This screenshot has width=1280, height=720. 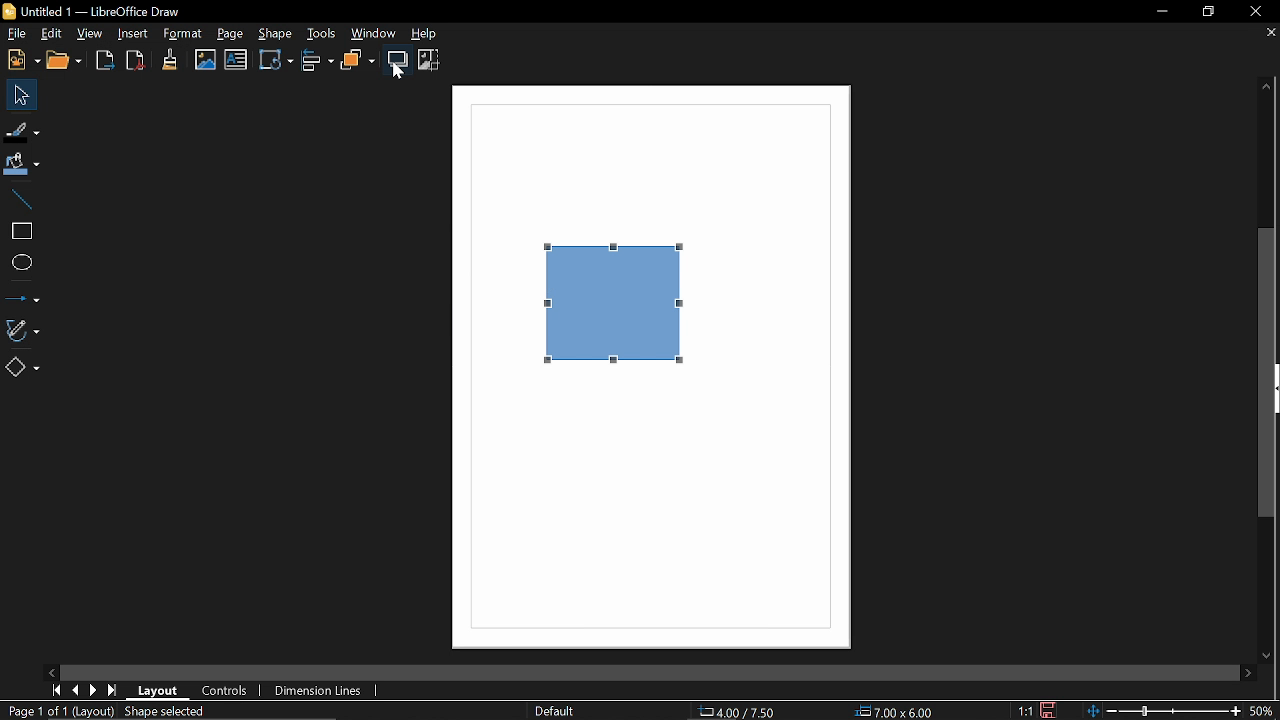 I want to click on Ellipse, so click(x=20, y=262).